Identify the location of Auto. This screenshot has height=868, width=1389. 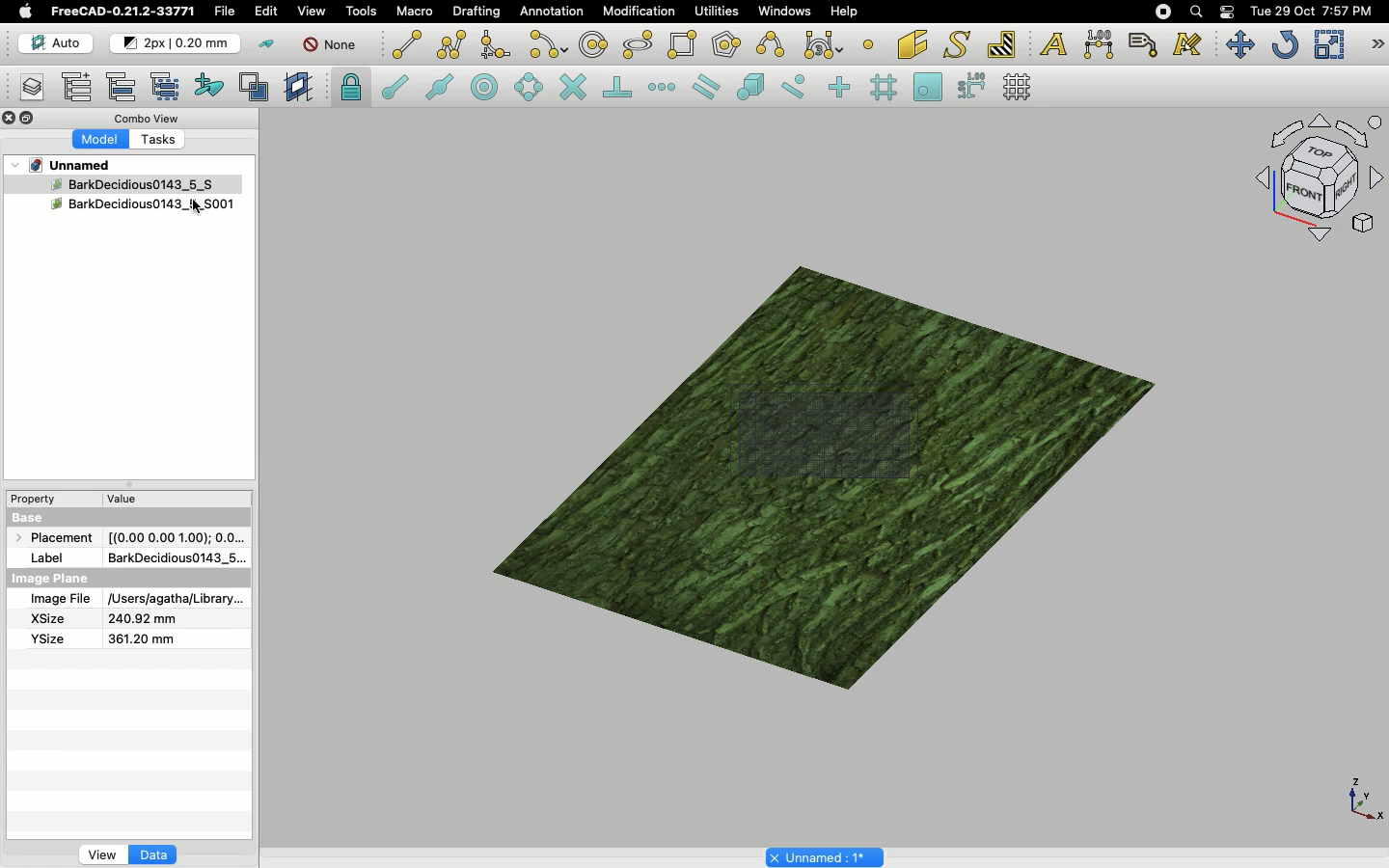
(57, 43).